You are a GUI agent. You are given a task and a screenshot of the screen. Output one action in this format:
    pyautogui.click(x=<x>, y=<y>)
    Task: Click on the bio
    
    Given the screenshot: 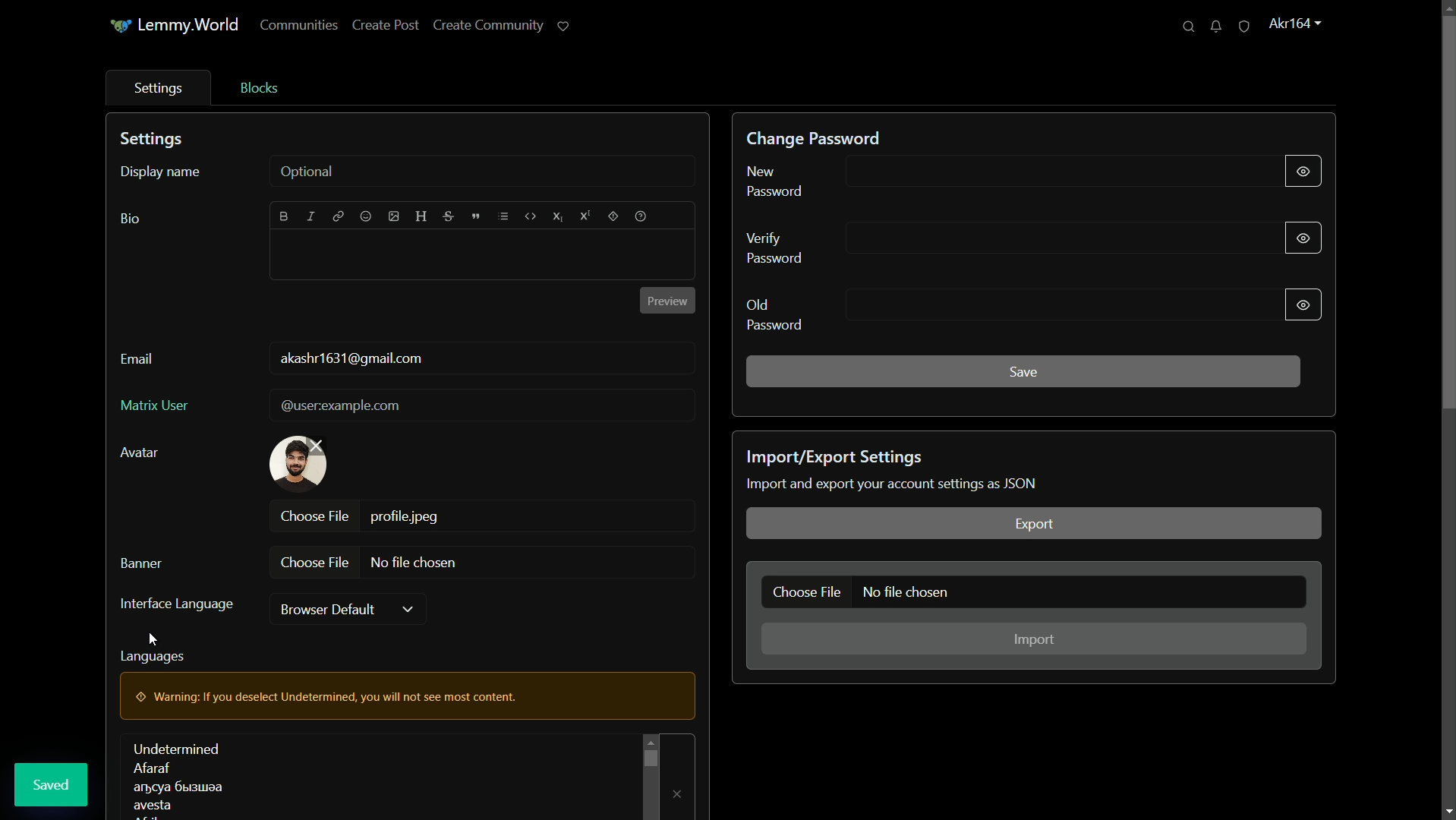 What is the action you would take?
    pyautogui.click(x=129, y=219)
    